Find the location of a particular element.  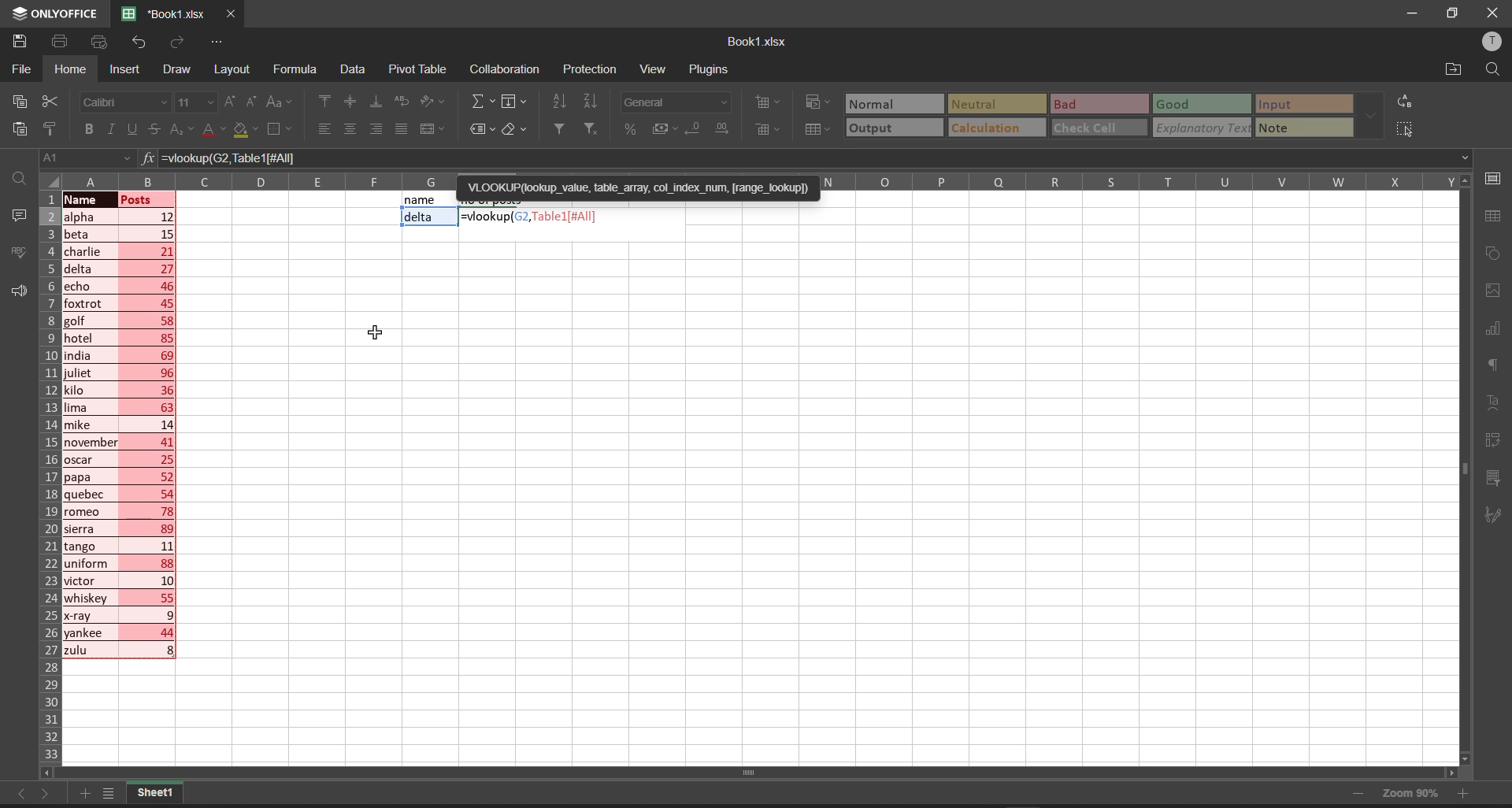

cut is located at coordinates (51, 98).